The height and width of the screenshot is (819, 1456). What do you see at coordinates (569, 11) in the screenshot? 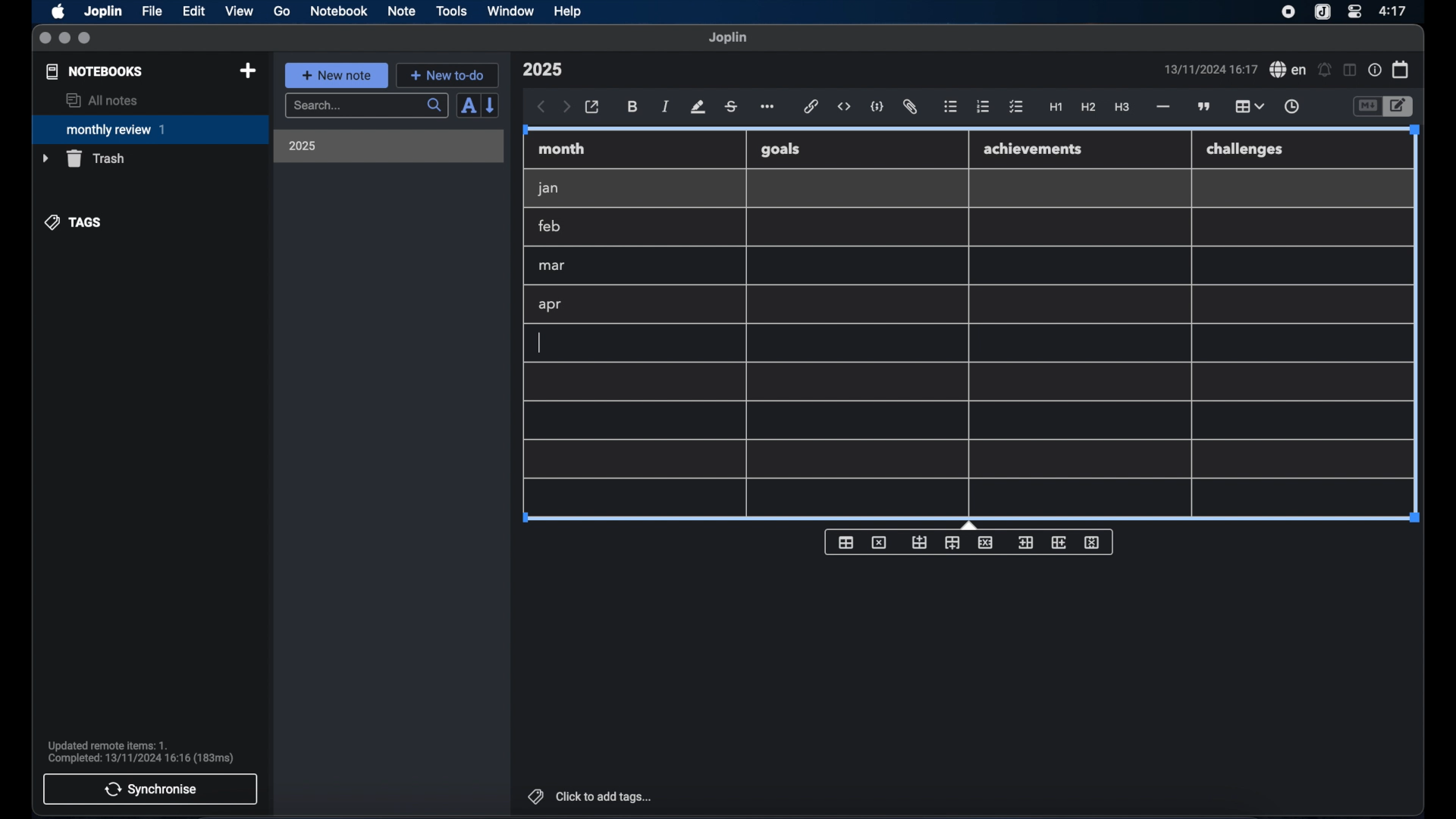
I see `help` at bounding box center [569, 11].